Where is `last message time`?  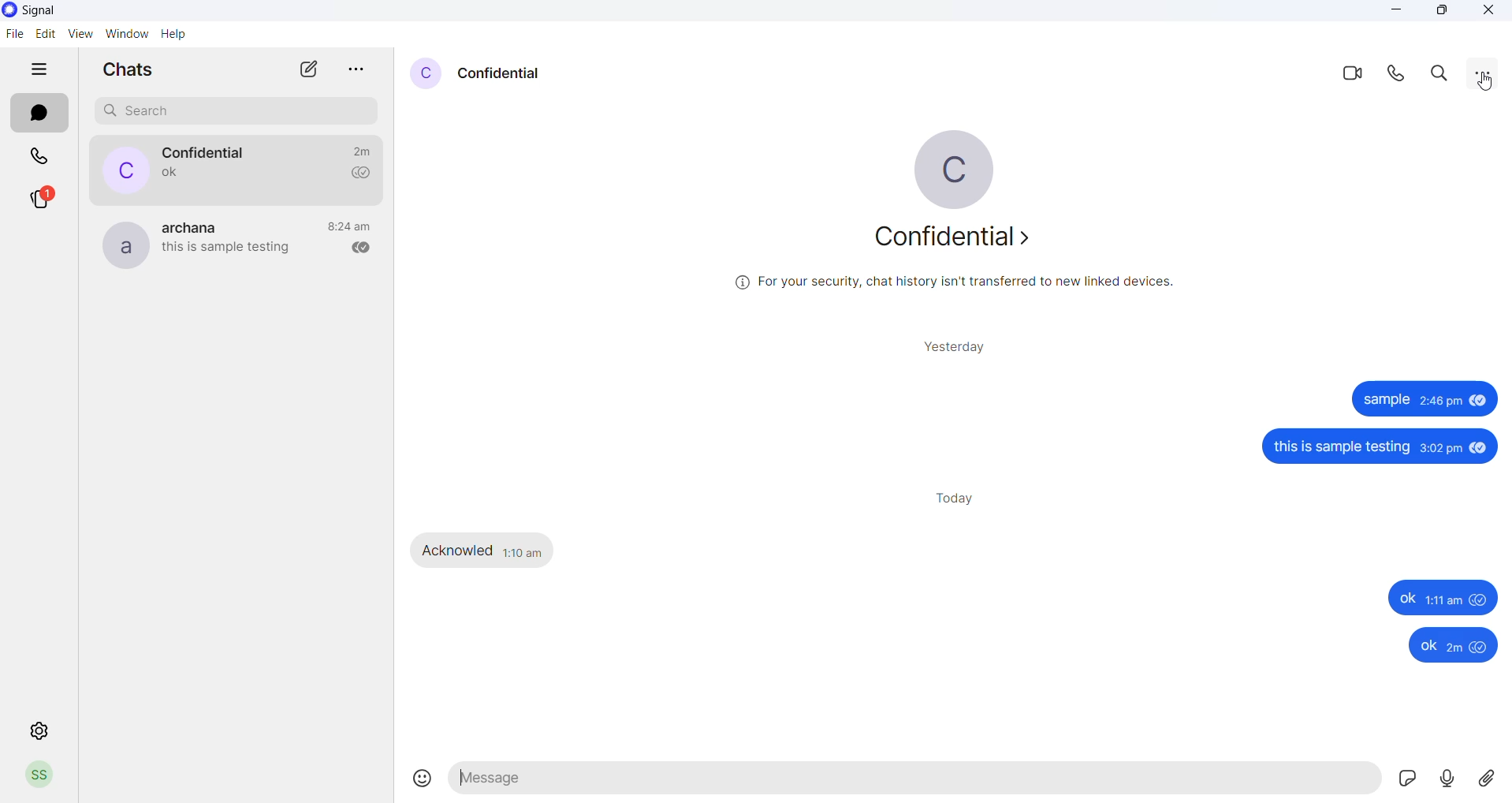
last message time is located at coordinates (349, 226).